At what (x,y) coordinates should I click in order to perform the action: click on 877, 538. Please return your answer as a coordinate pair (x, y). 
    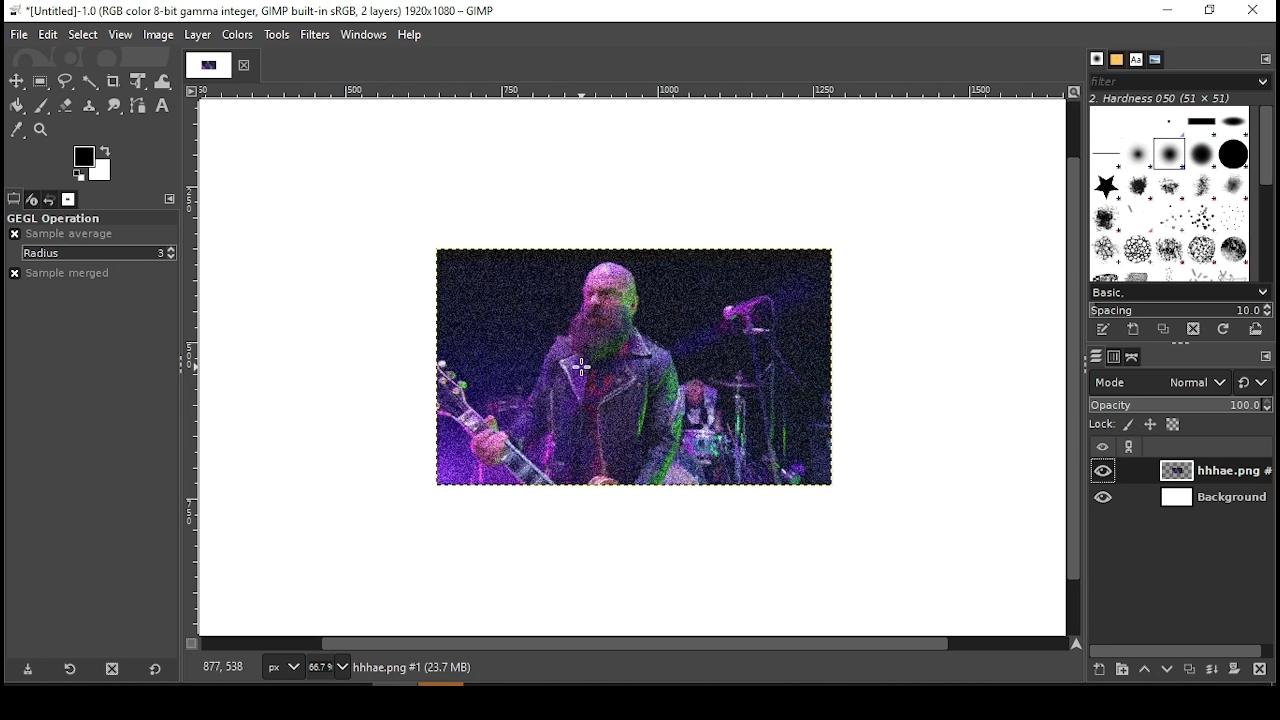
    Looking at the image, I should click on (224, 669).